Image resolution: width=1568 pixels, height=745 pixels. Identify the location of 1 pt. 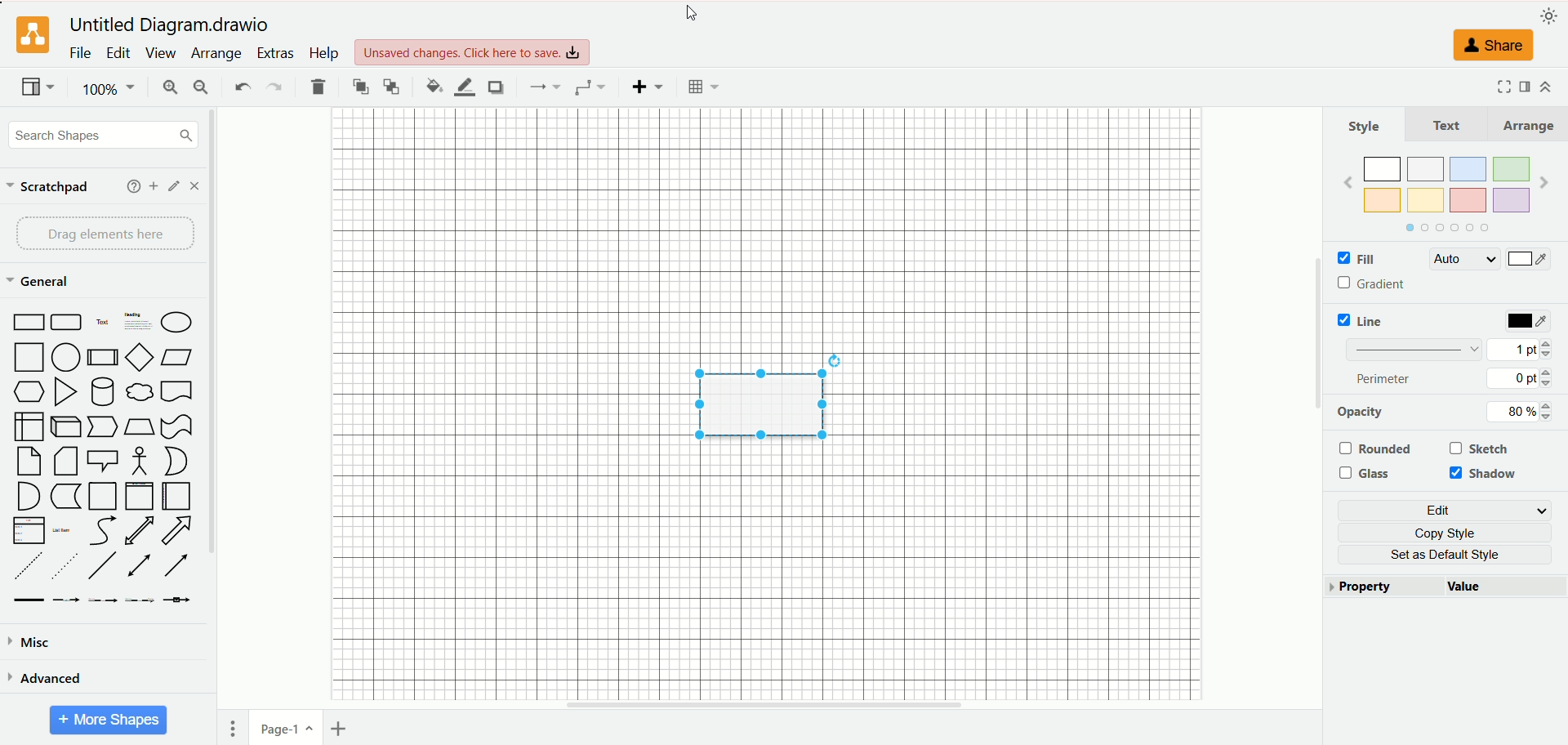
(1520, 348).